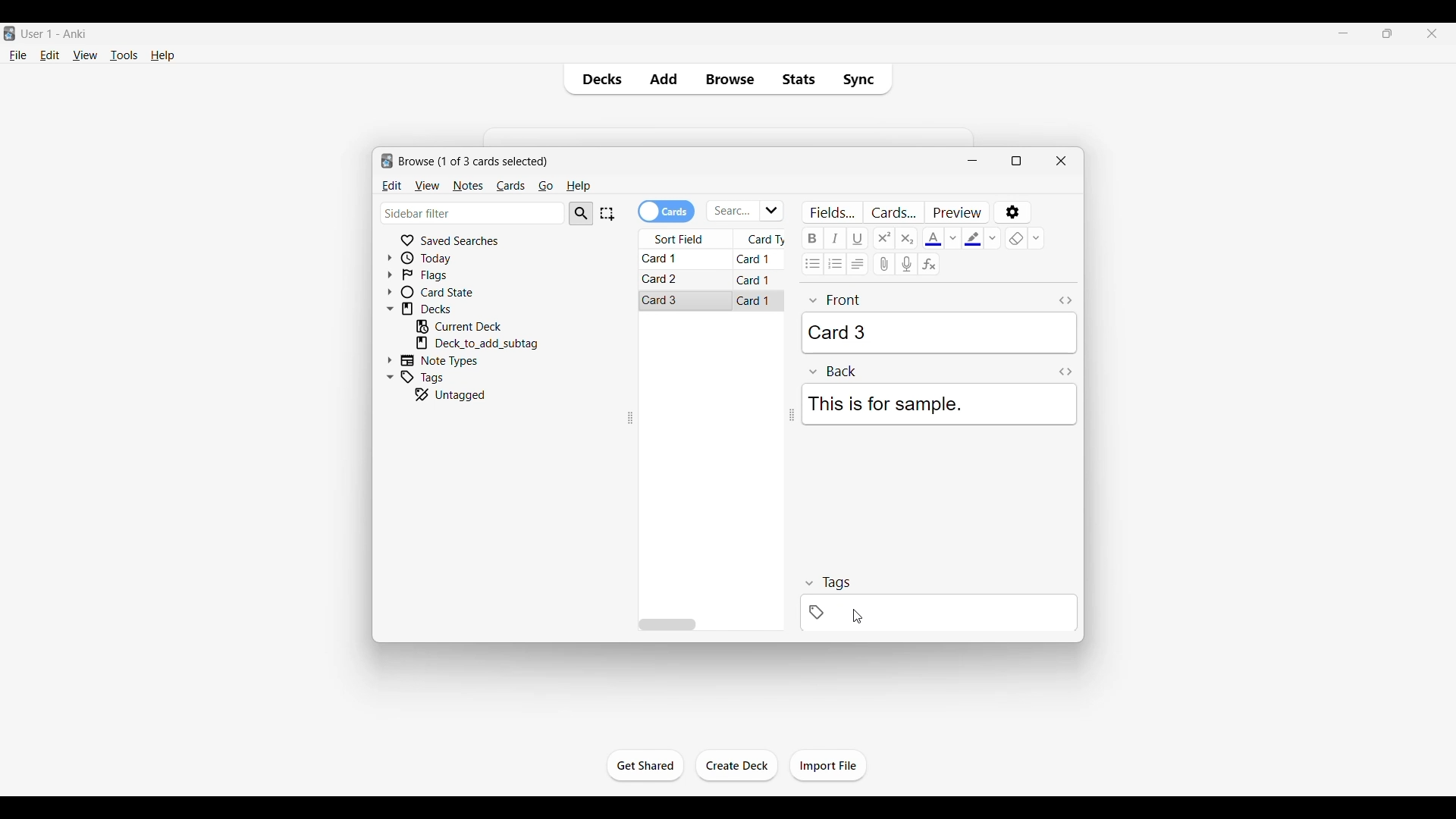 Image resolution: width=1456 pixels, height=819 pixels. I want to click on Cards menu, so click(510, 187).